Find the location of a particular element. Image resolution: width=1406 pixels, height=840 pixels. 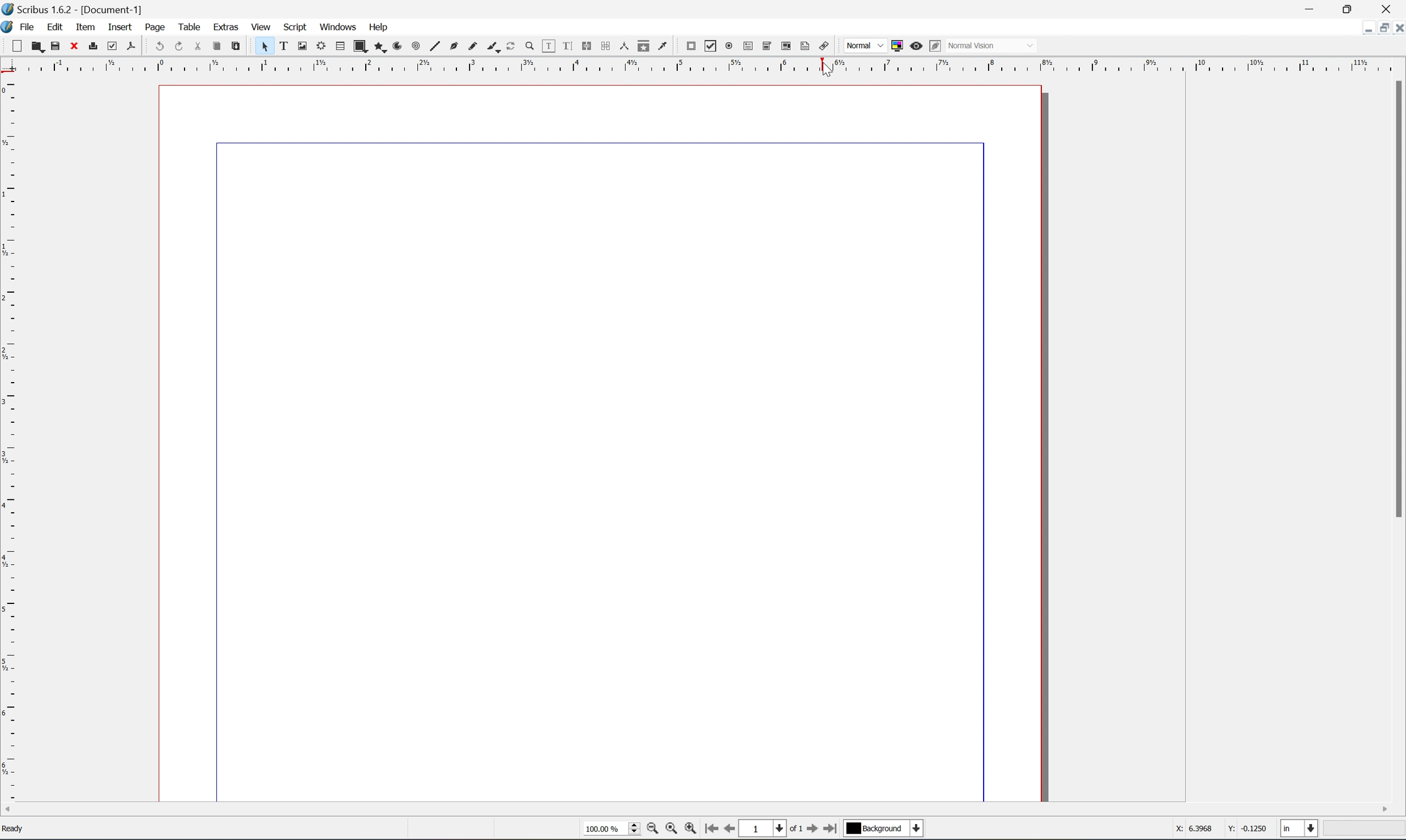

print is located at coordinates (92, 45).